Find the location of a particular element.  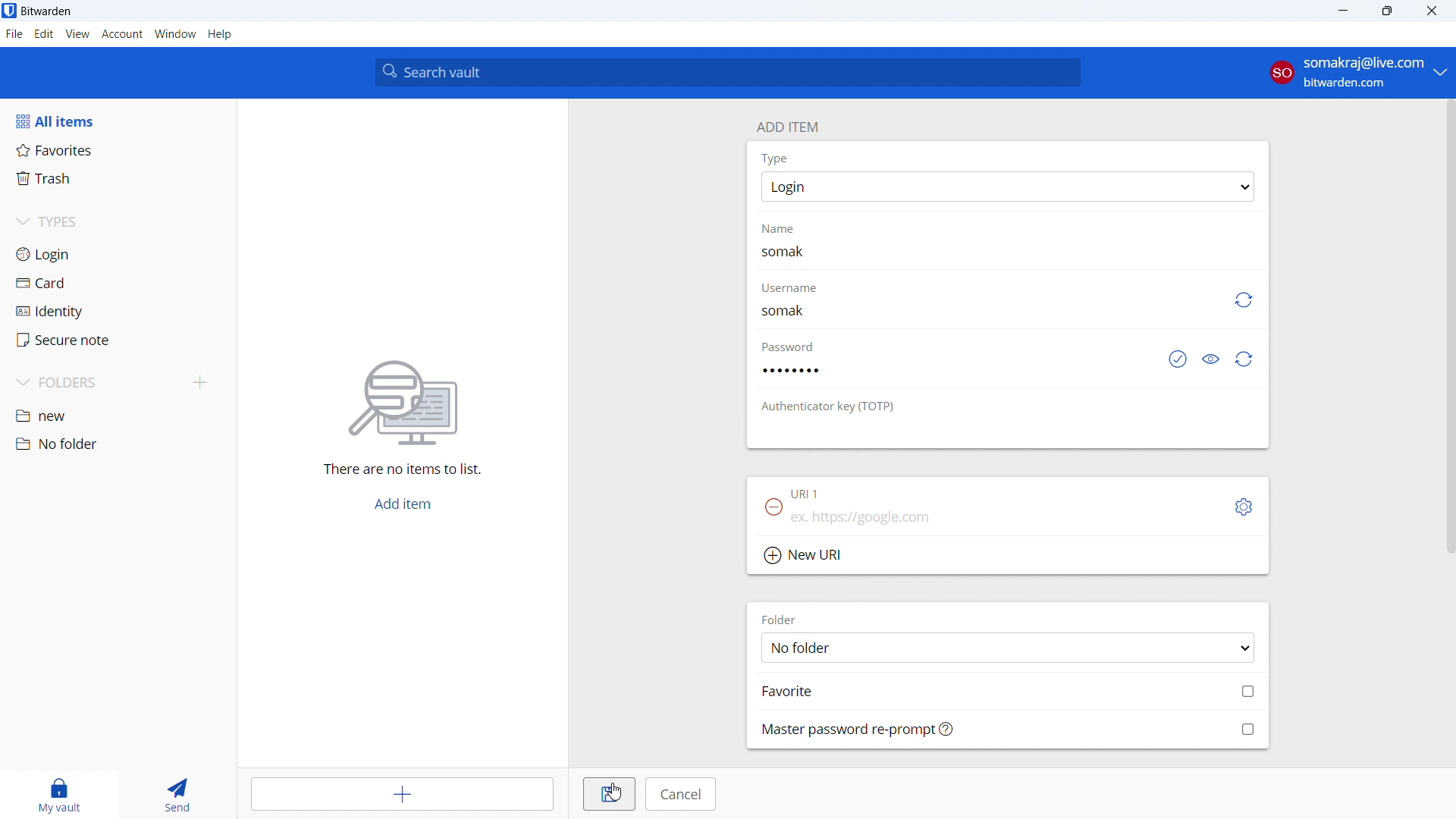

there are no items to list  is located at coordinates (397, 471).